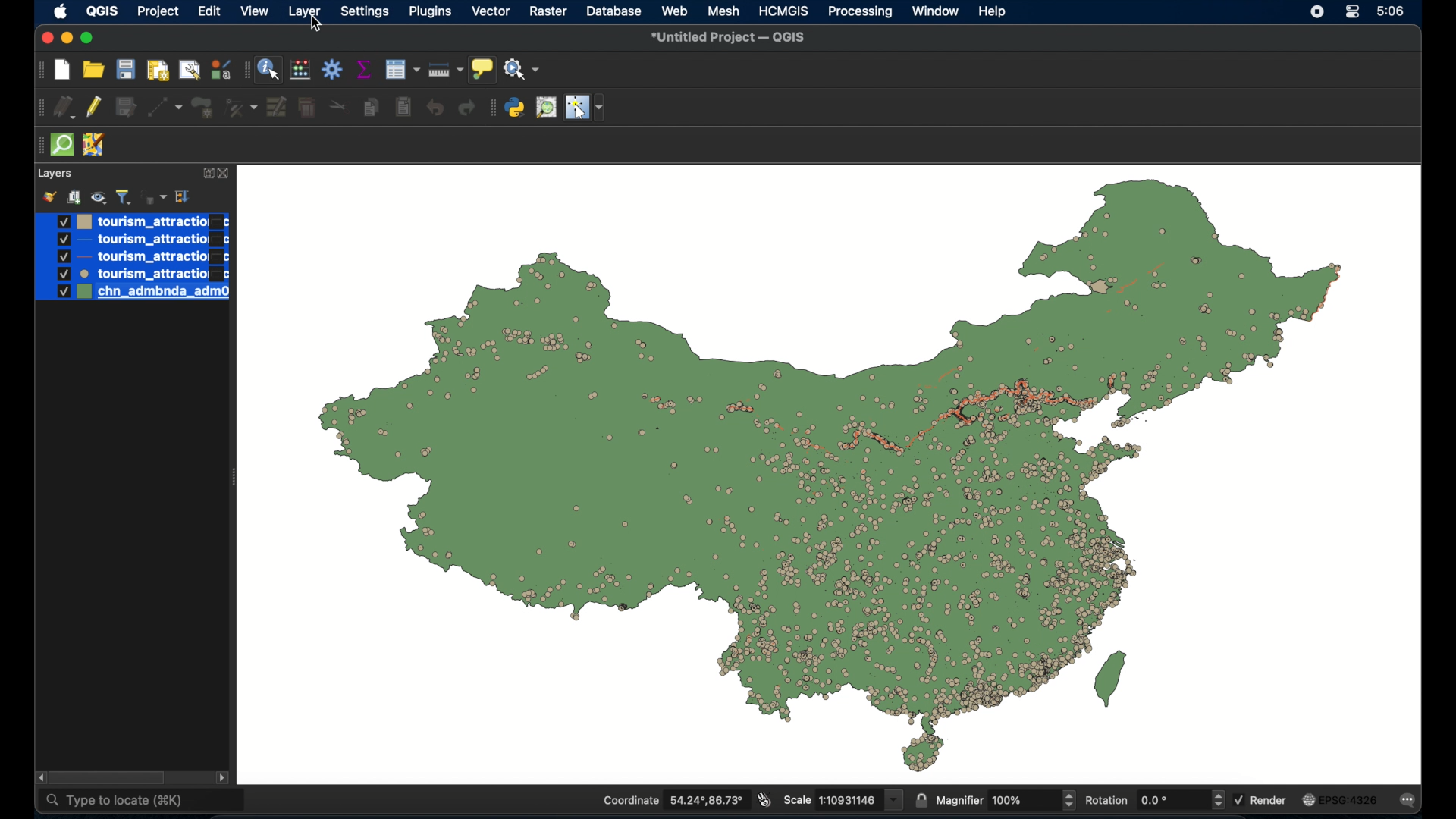 This screenshot has width=1456, height=819. I want to click on save edits, so click(127, 107).